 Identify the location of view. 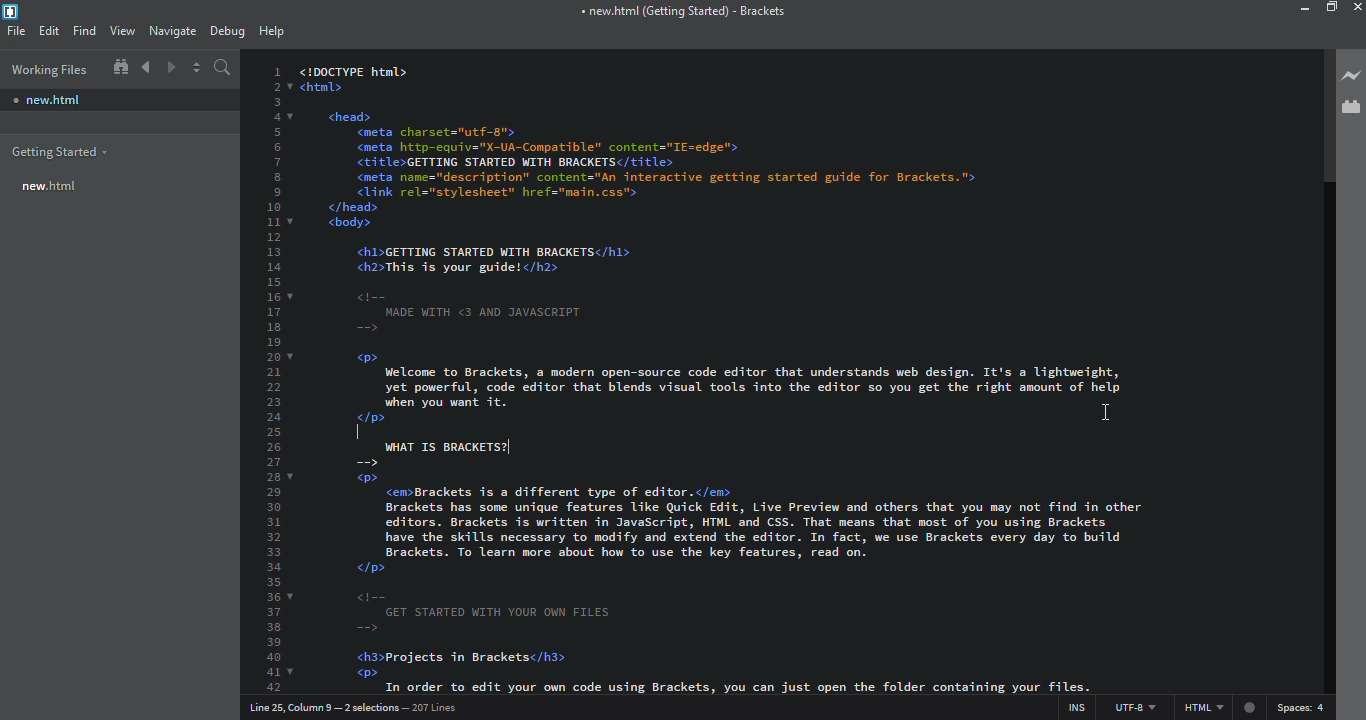
(122, 30).